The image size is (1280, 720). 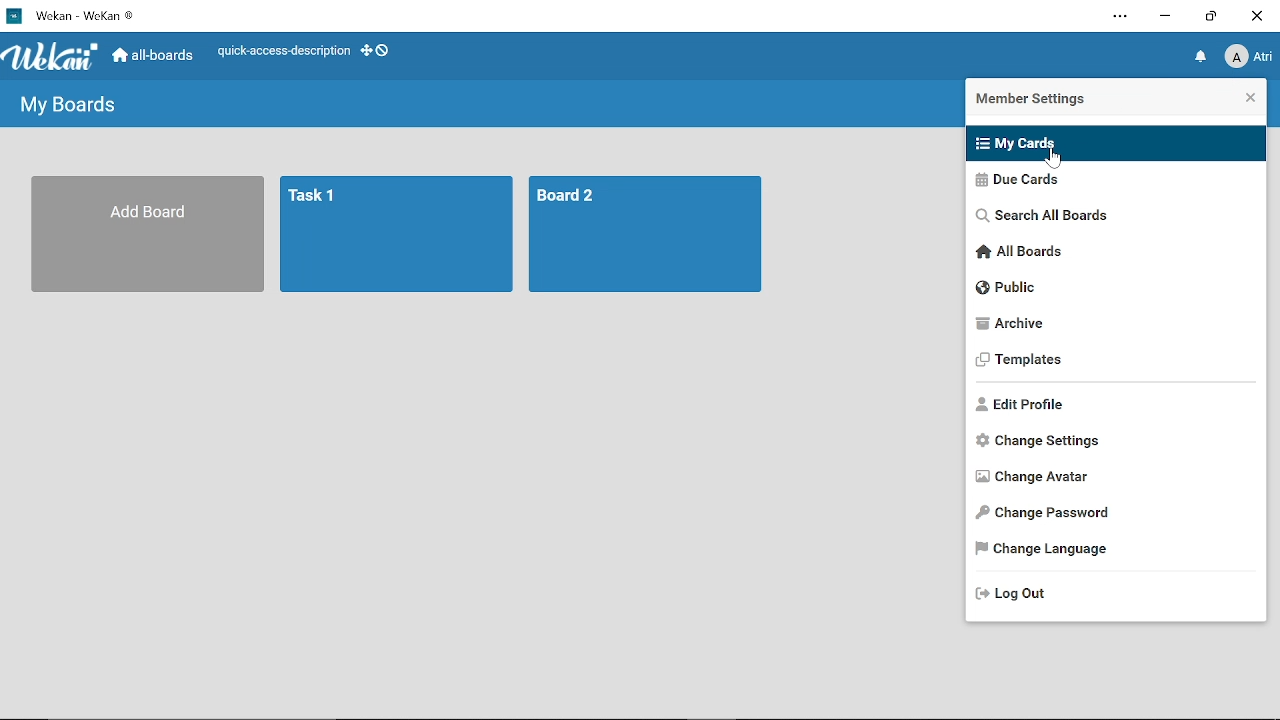 What do you see at coordinates (1111, 442) in the screenshot?
I see `Change settings` at bounding box center [1111, 442].